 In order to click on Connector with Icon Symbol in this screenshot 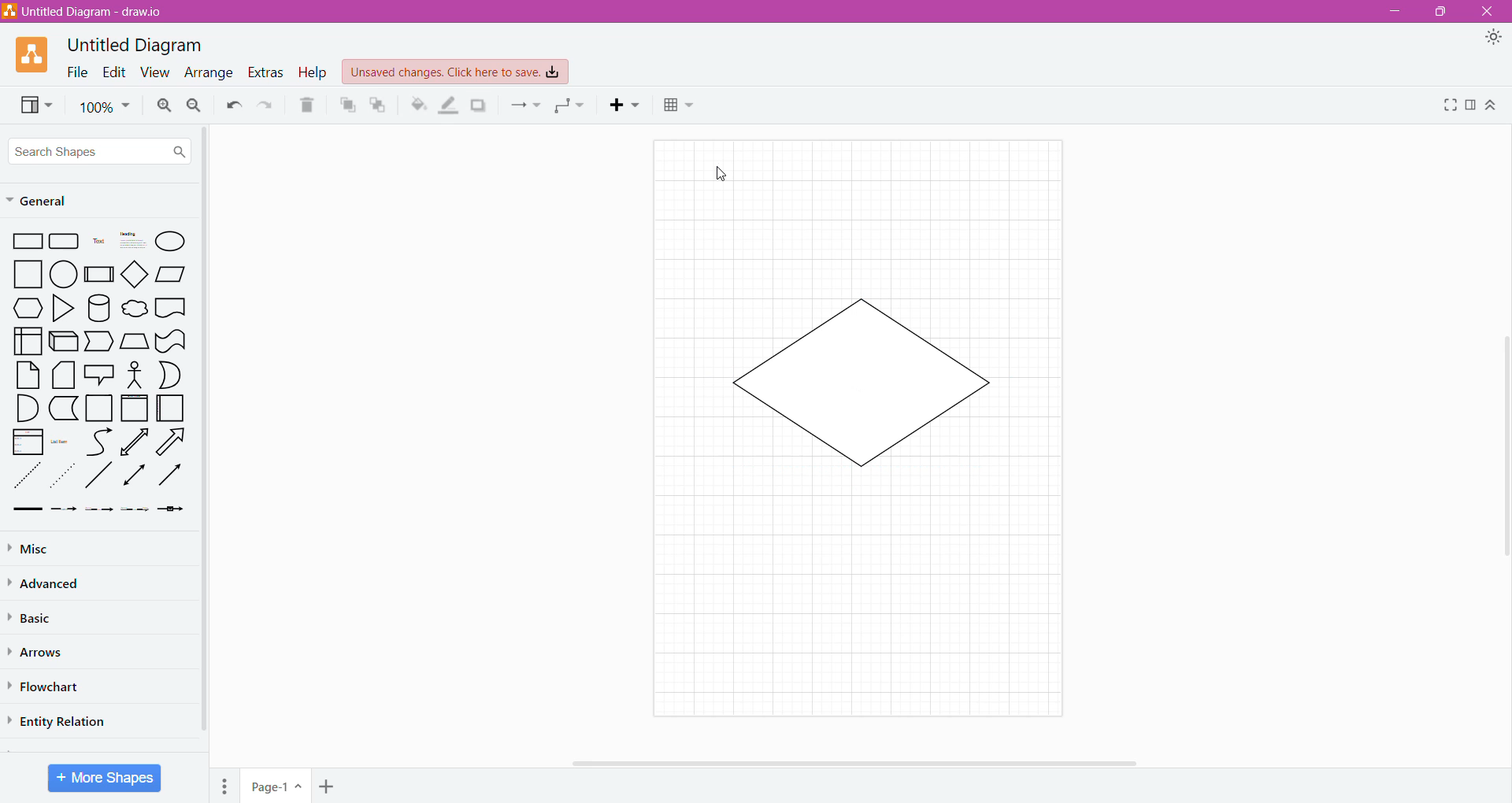, I will do `click(175, 510)`.